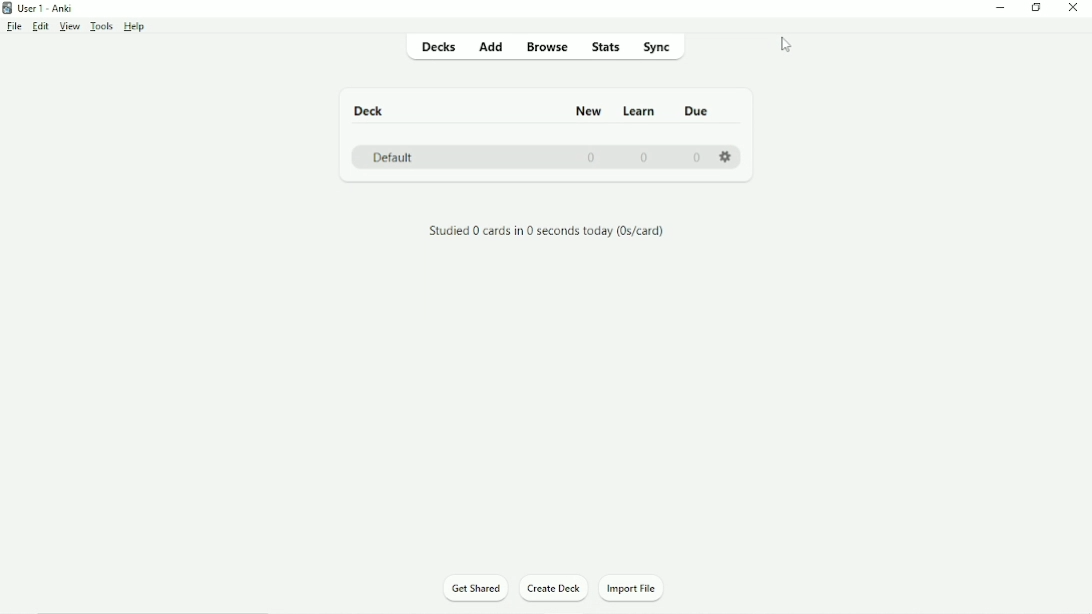 This screenshot has width=1092, height=614. I want to click on Learn, so click(641, 111).